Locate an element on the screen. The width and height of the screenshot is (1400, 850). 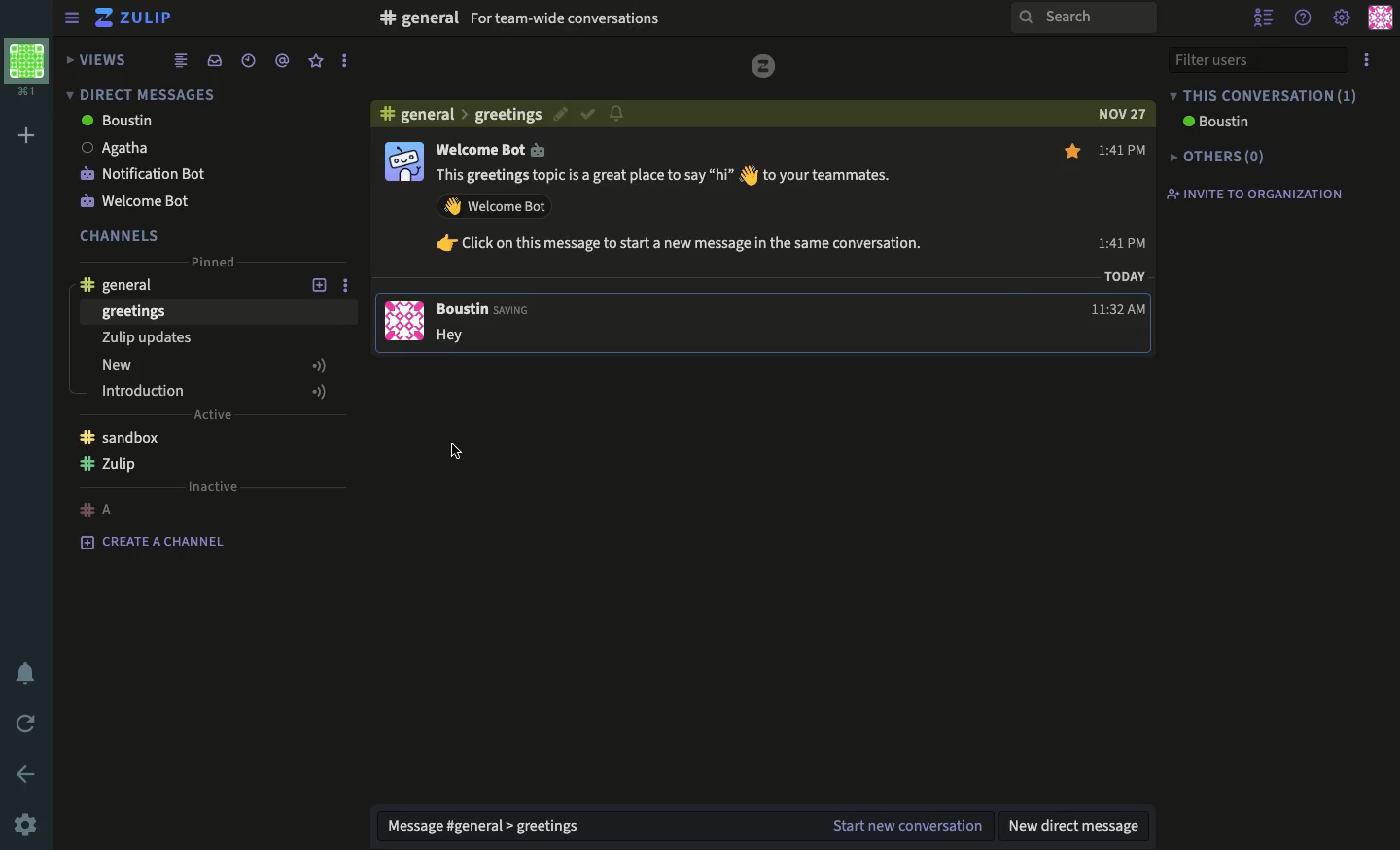
combined feed is located at coordinates (181, 61).